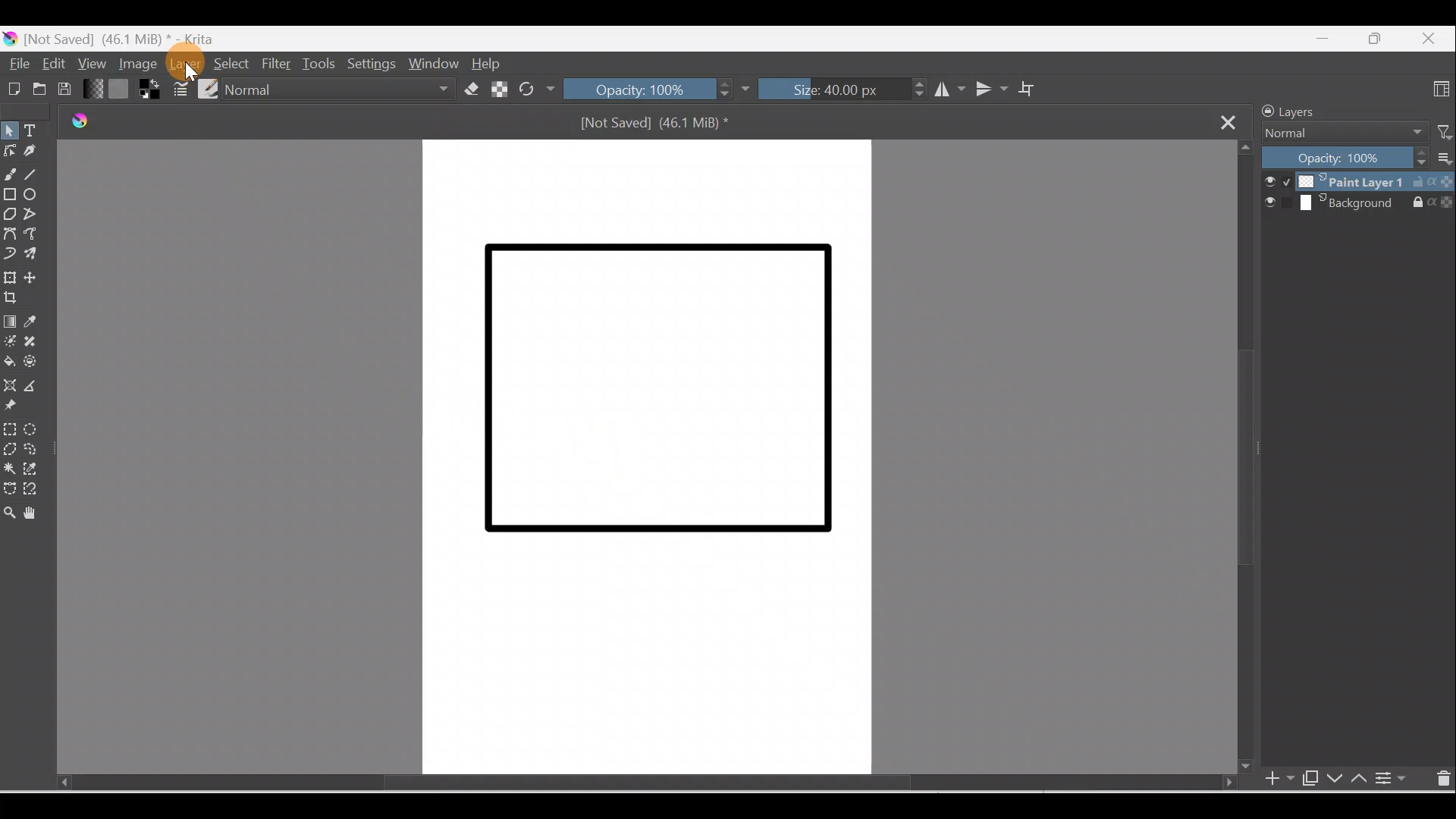 Image resolution: width=1456 pixels, height=819 pixels. Describe the element at coordinates (1307, 777) in the screenshot. I see `Duplicate layer/mask` at that location.